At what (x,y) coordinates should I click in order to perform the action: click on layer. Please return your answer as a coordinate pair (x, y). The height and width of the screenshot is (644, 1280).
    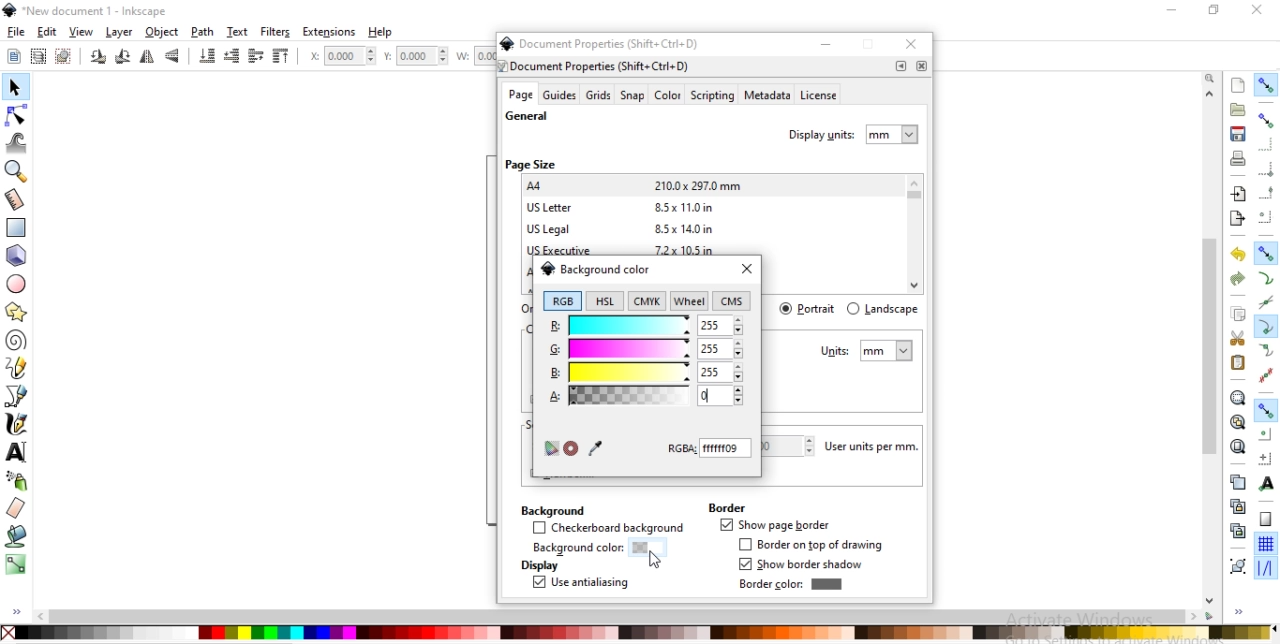
    Looking at the image, I should click on (120, 33).